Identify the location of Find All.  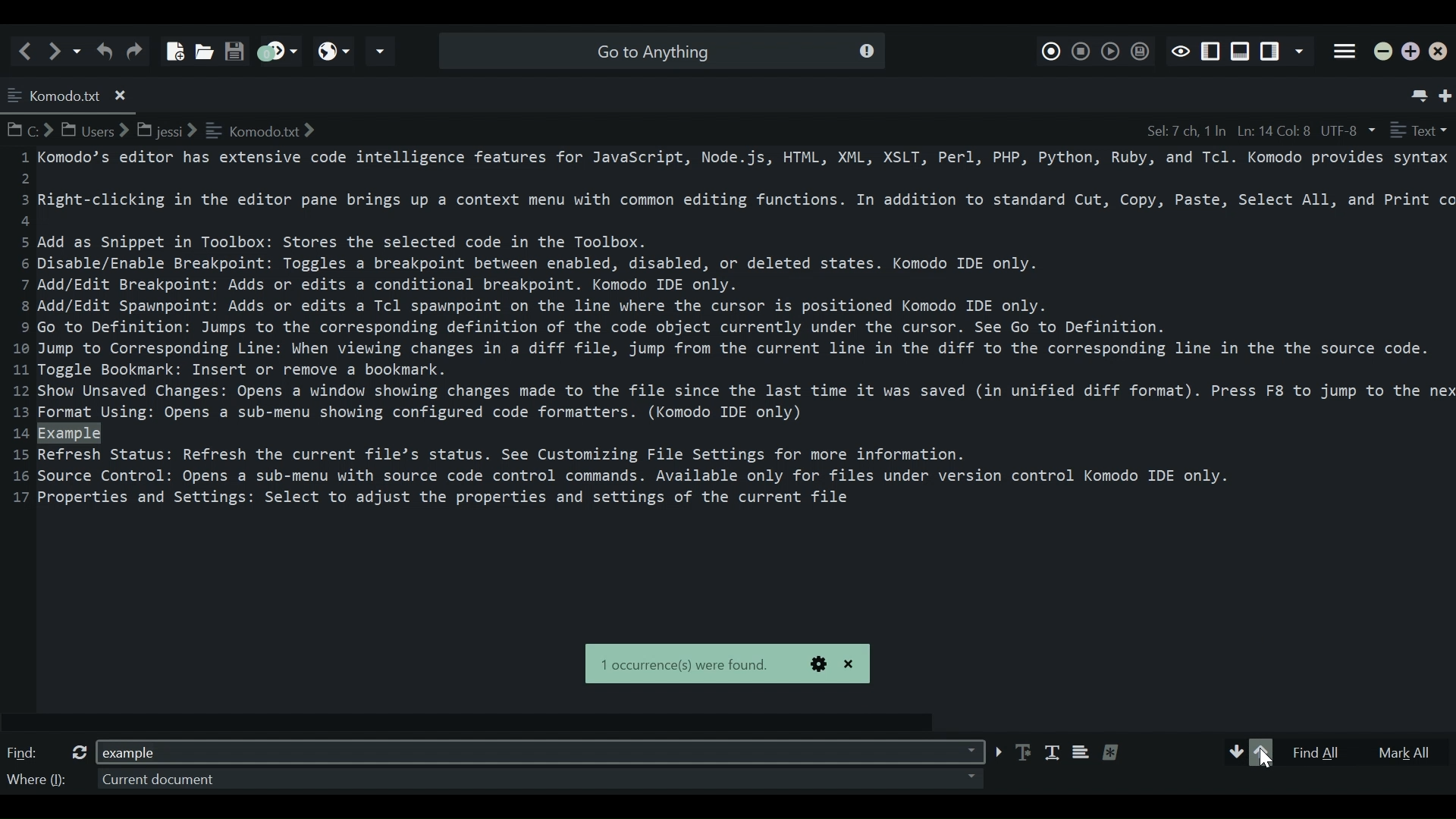
(1326, 752).